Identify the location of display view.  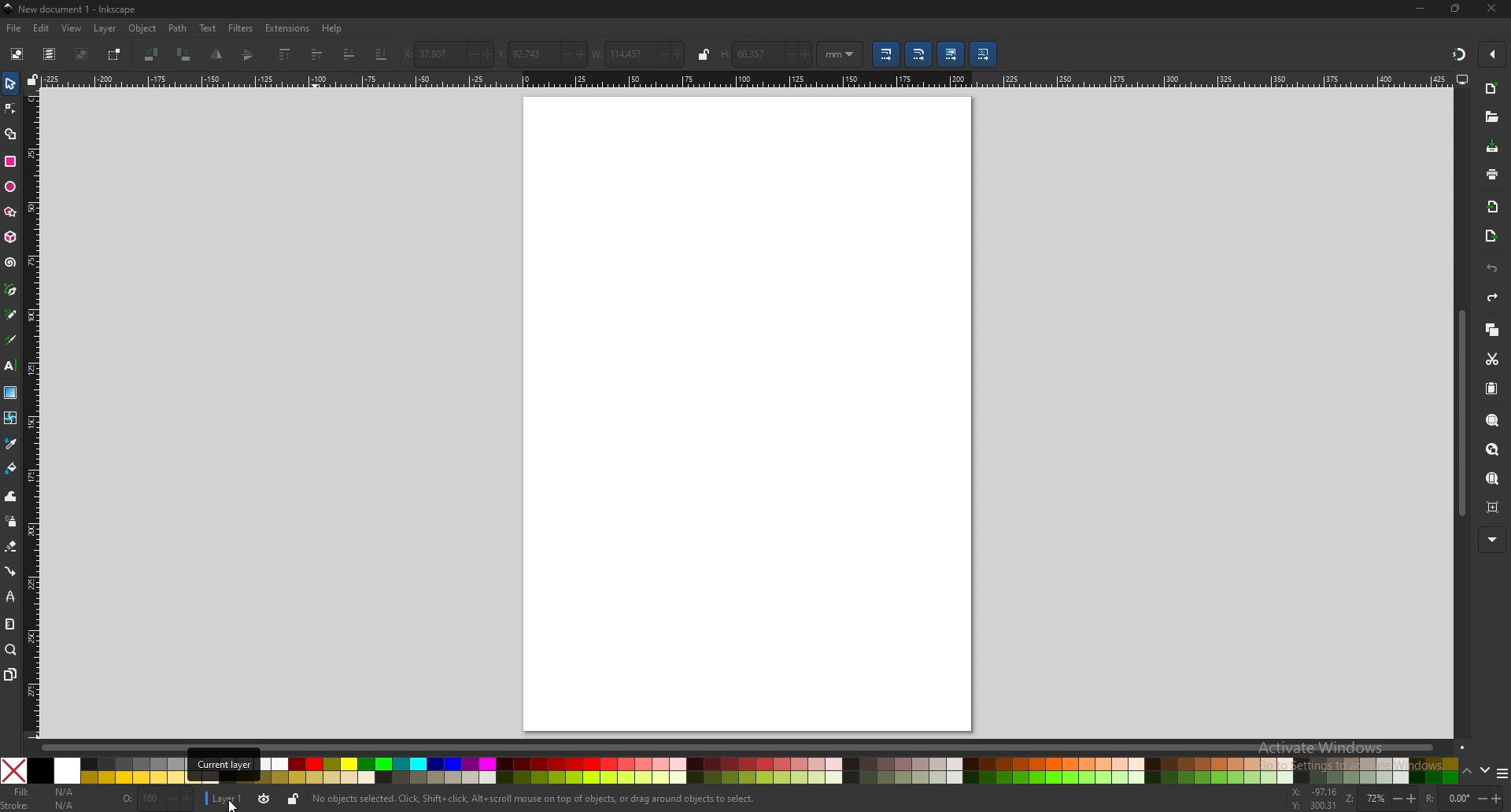
(1462, 79).